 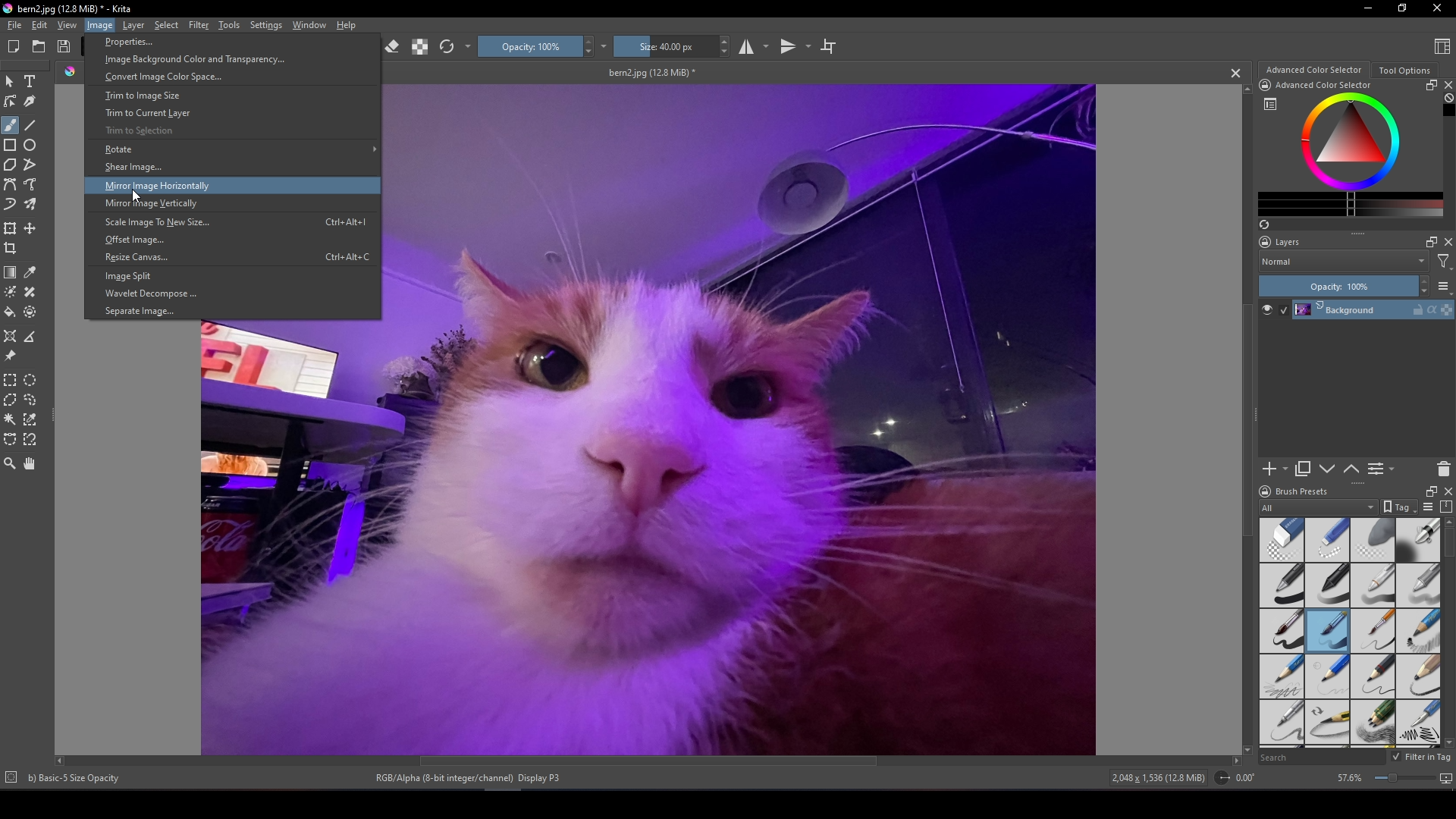 What do you see at coordinates (99, 26) in the screenshot?
I see `image` at bounding box center [99, 26].